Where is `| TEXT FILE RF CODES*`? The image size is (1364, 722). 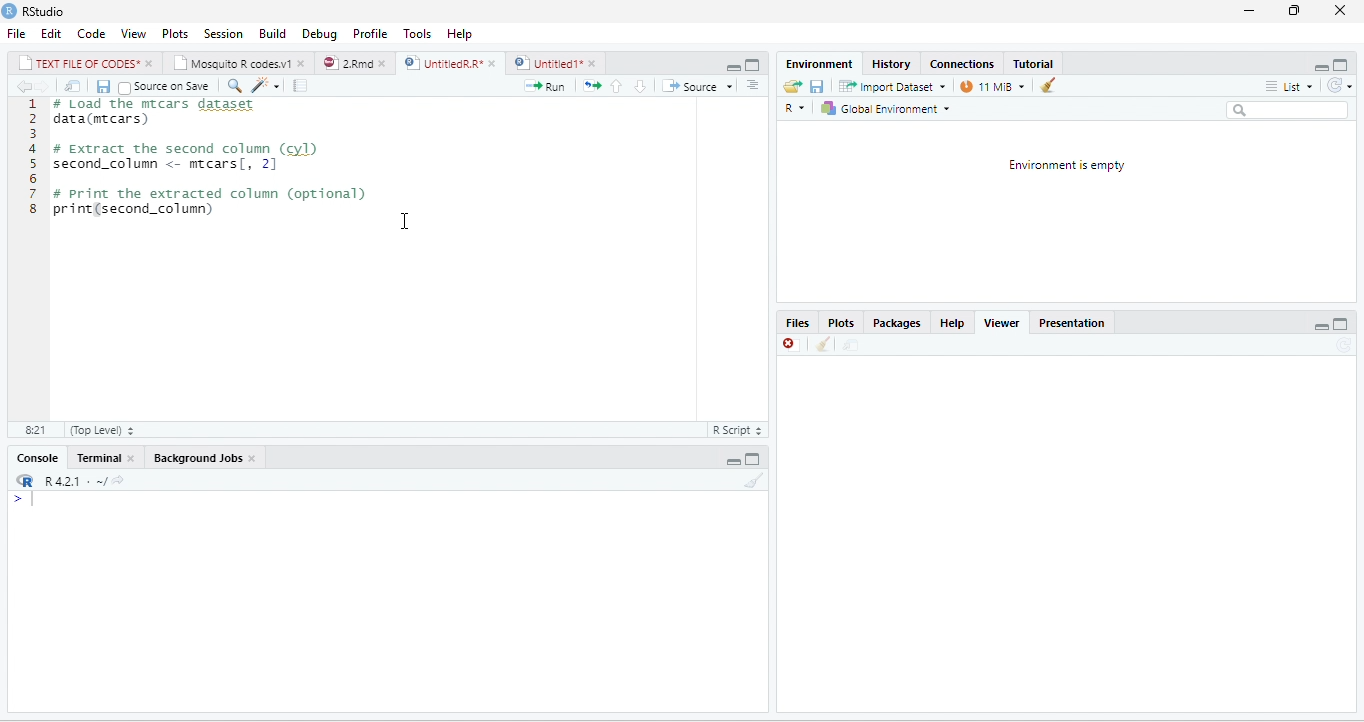 | TEXT FILE RF CODES* is located at coordinates (78, 61).